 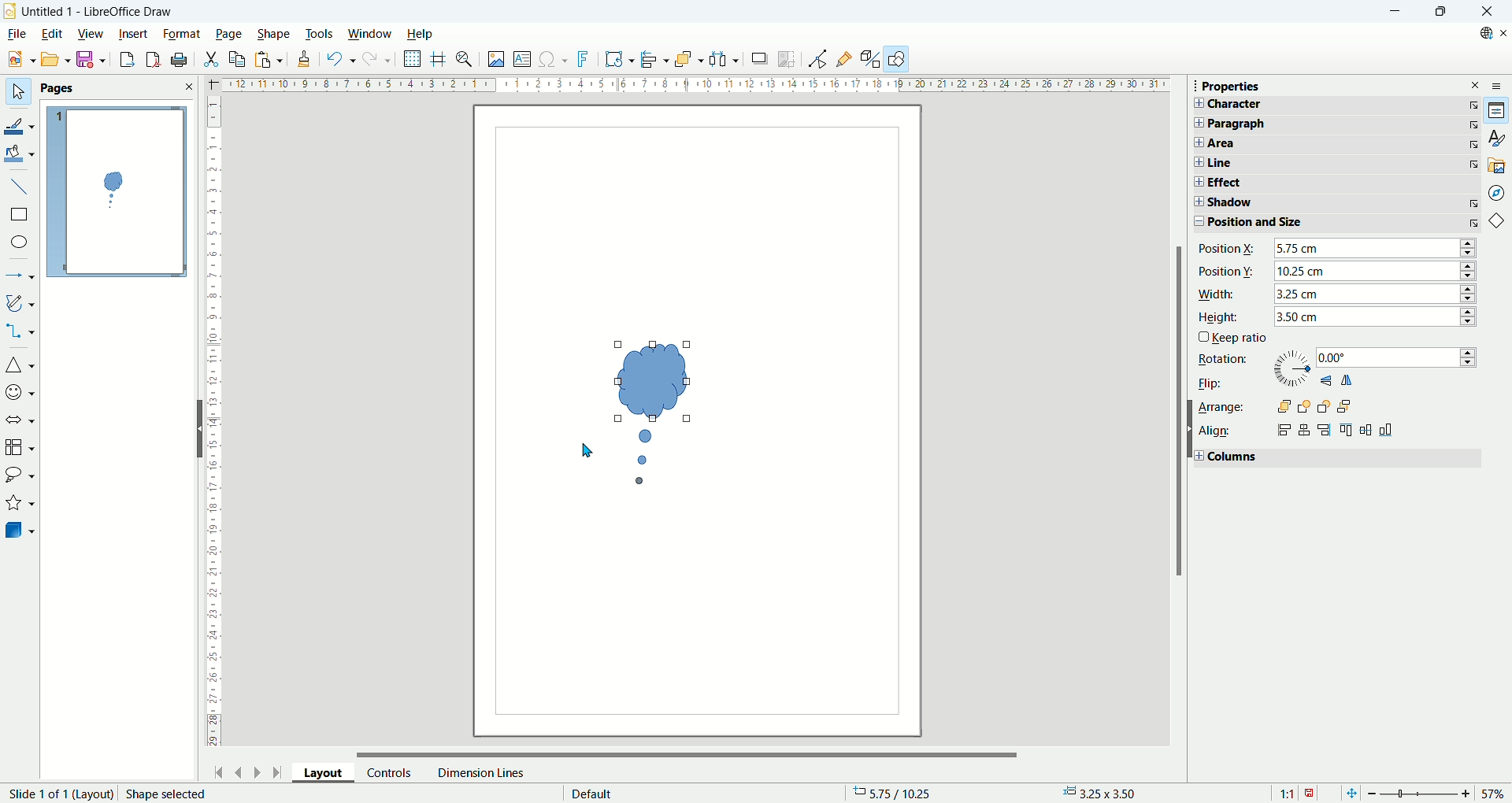 I want to click on coordinates, so click(x=900, y=794).